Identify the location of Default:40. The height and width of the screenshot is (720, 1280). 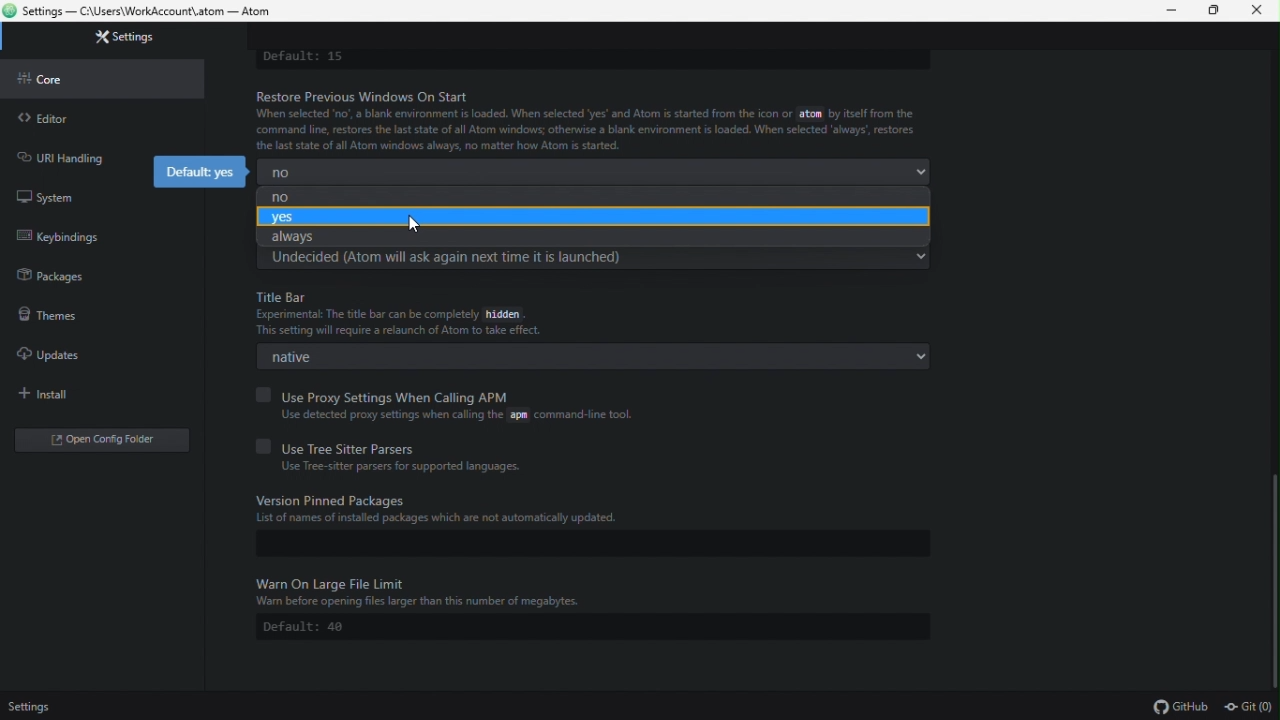
(314, 627).